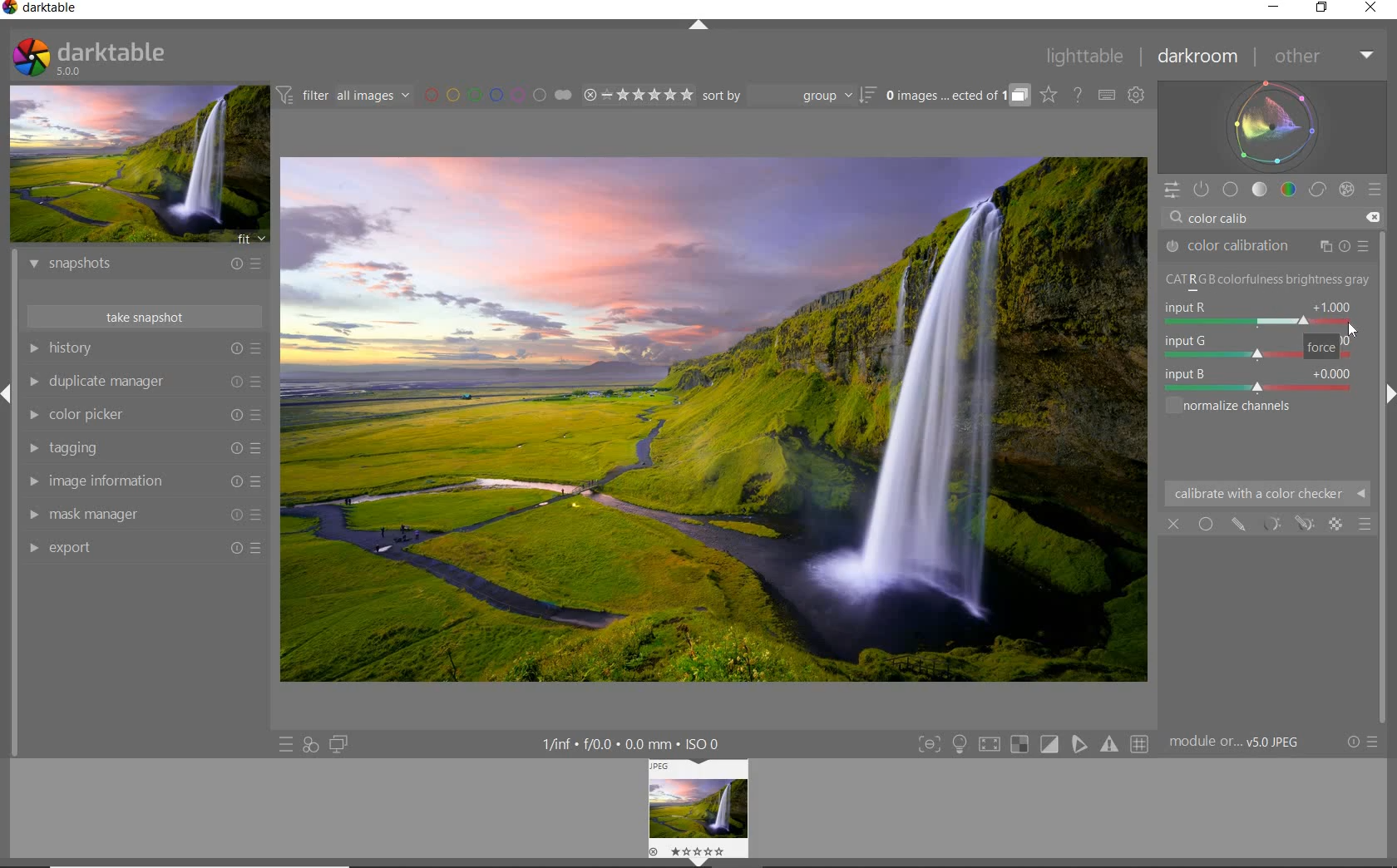 This screenshot has height=868, width=1397. Describe the element at coordinates (638, 94) in the screenshot. I see `RANGE RATING OF SELECTED IMAGES` at that location.